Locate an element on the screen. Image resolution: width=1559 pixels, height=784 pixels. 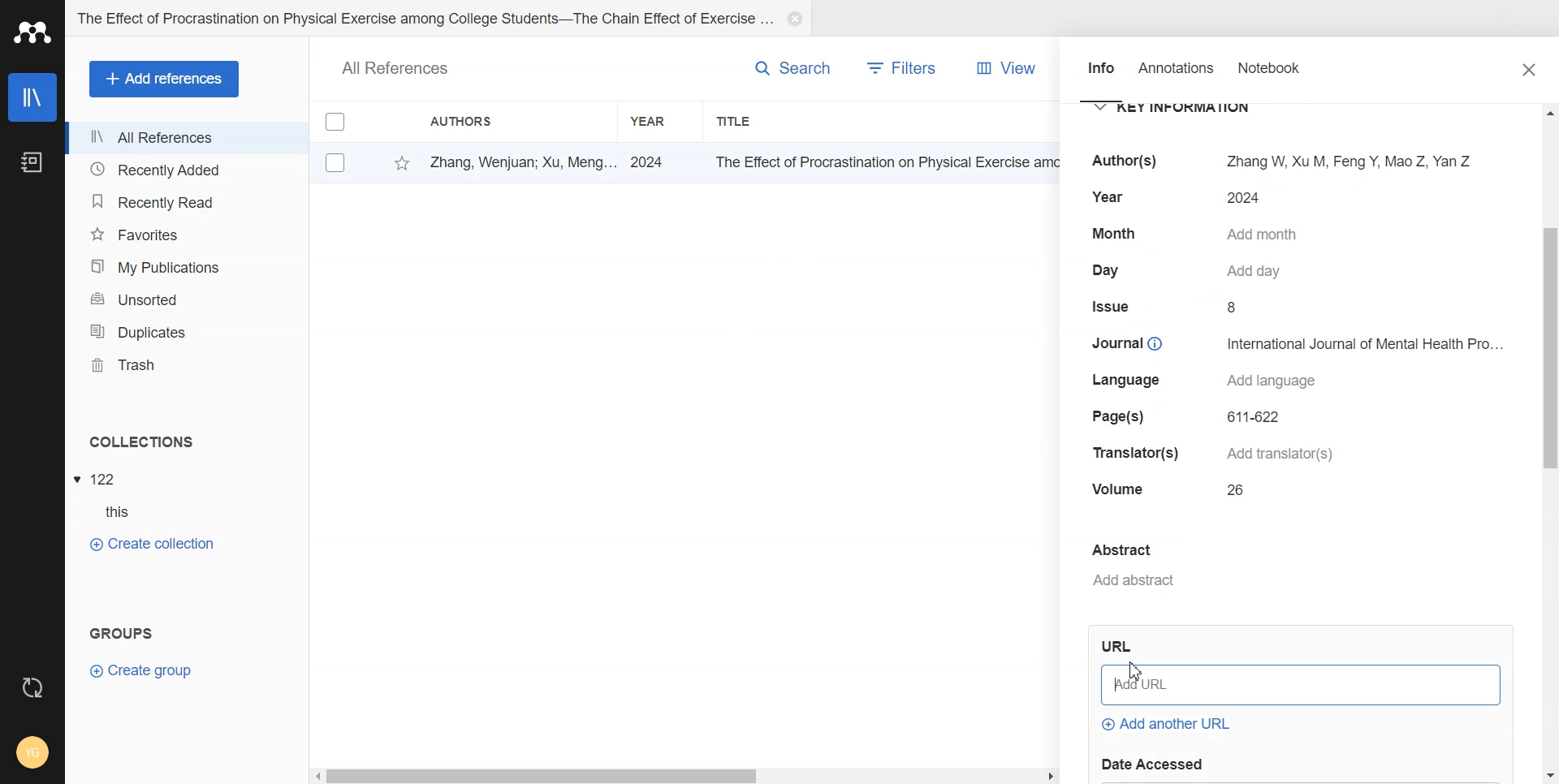
Annotation is located at coordinates (1178, 74).